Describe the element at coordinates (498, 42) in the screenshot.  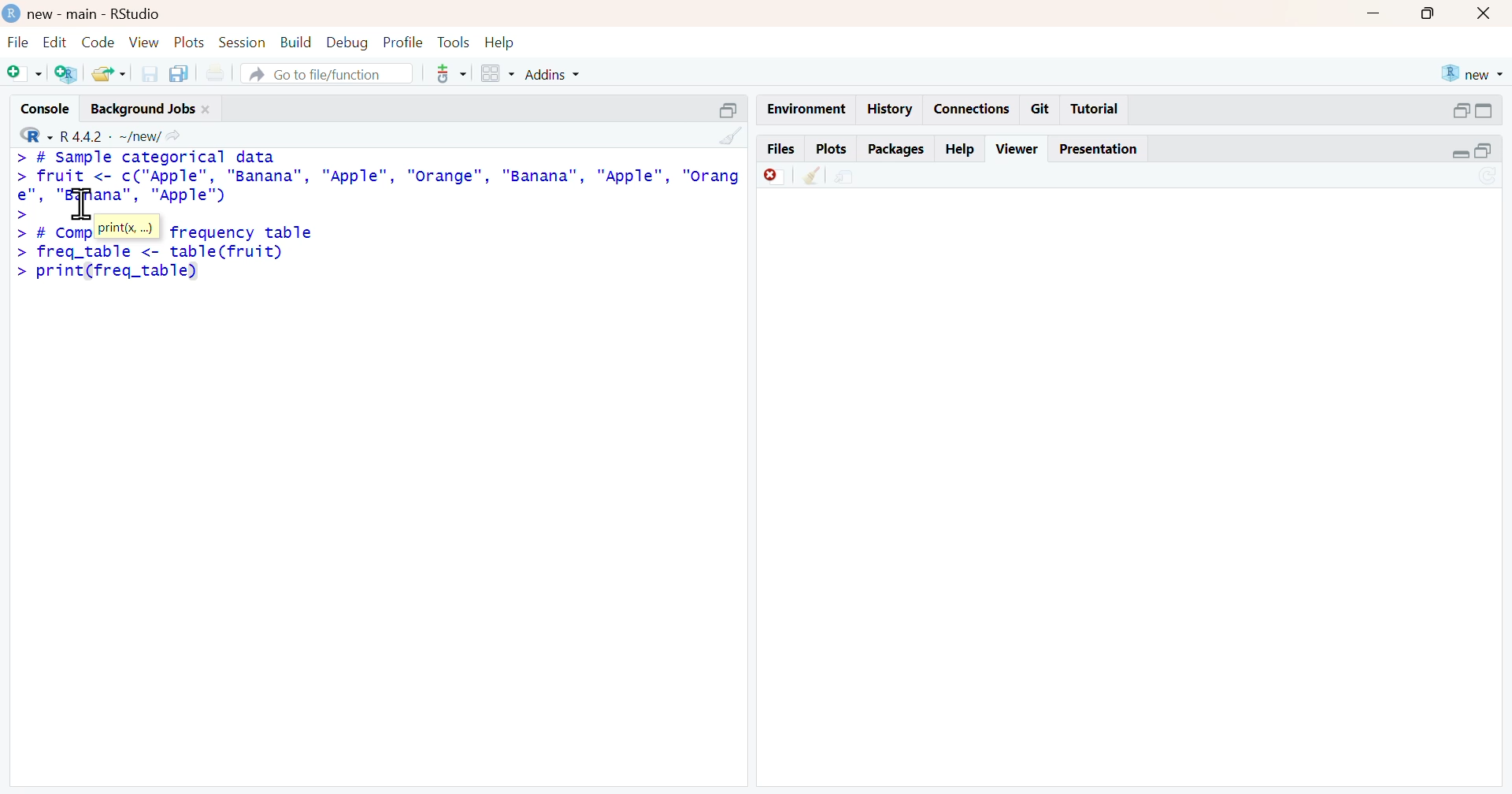
I see `help` at that location.